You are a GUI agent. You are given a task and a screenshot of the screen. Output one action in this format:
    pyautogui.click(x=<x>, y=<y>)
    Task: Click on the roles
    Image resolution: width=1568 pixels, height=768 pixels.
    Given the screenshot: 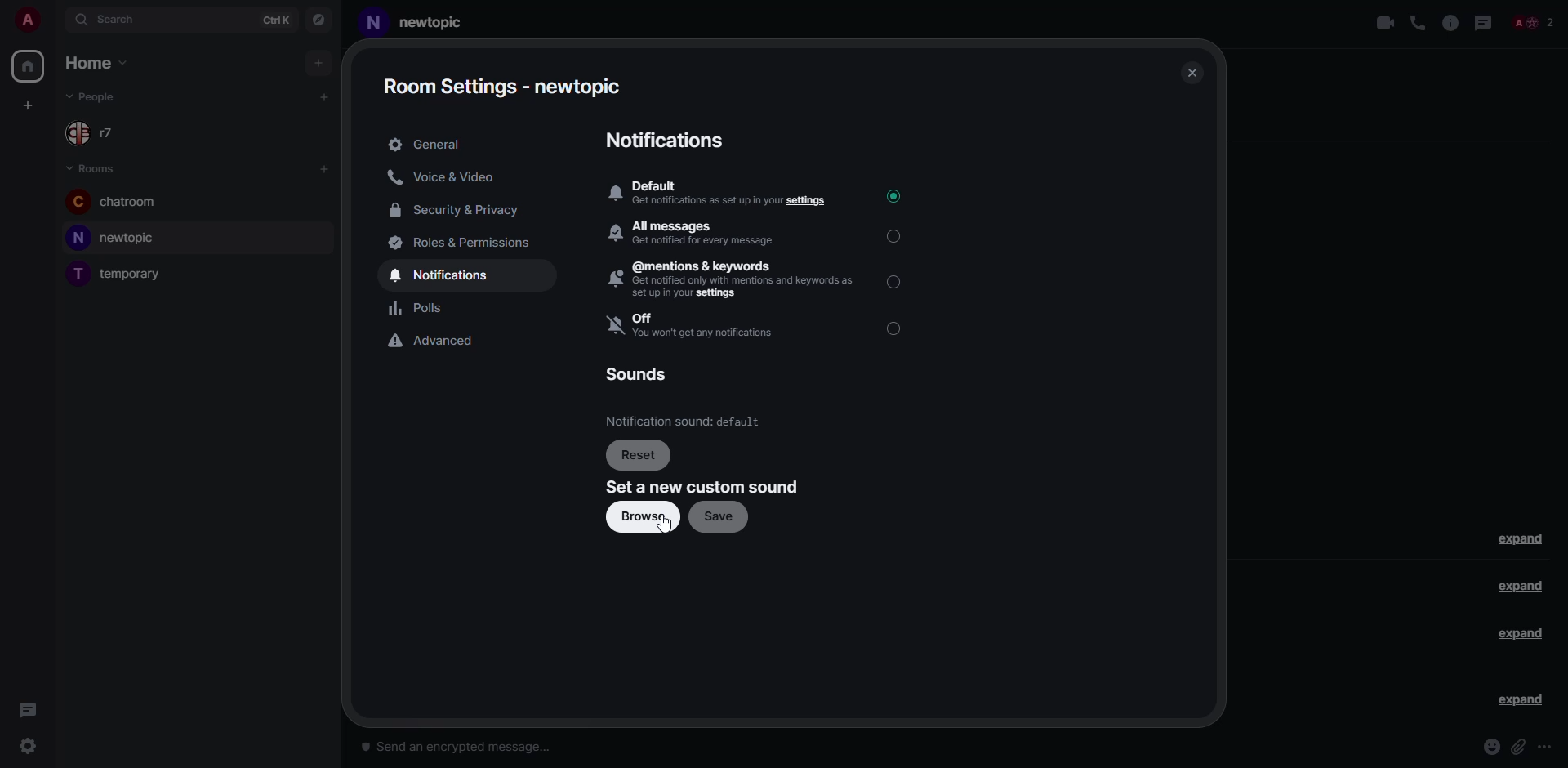 What is the action you would take?
    pyautogui.click(x=465, y=241)
    